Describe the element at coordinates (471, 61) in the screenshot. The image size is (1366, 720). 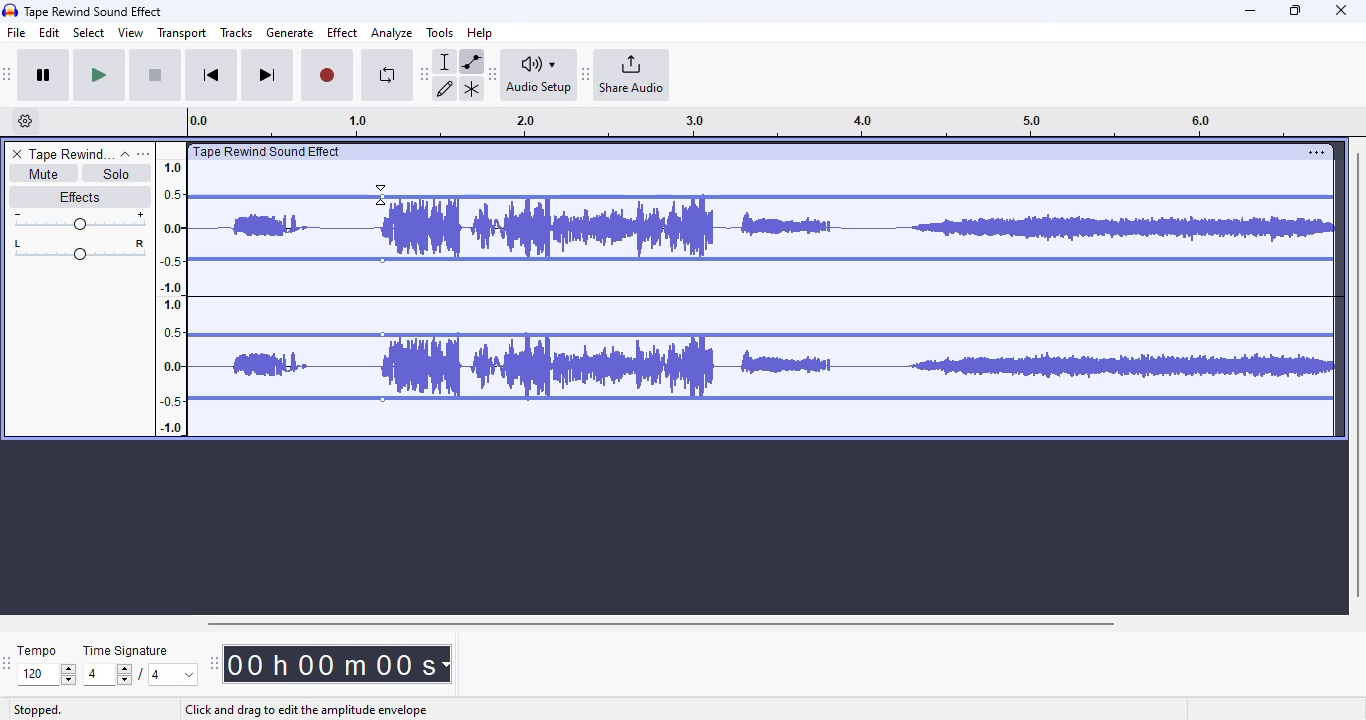
I see `envelope tool` at that location.